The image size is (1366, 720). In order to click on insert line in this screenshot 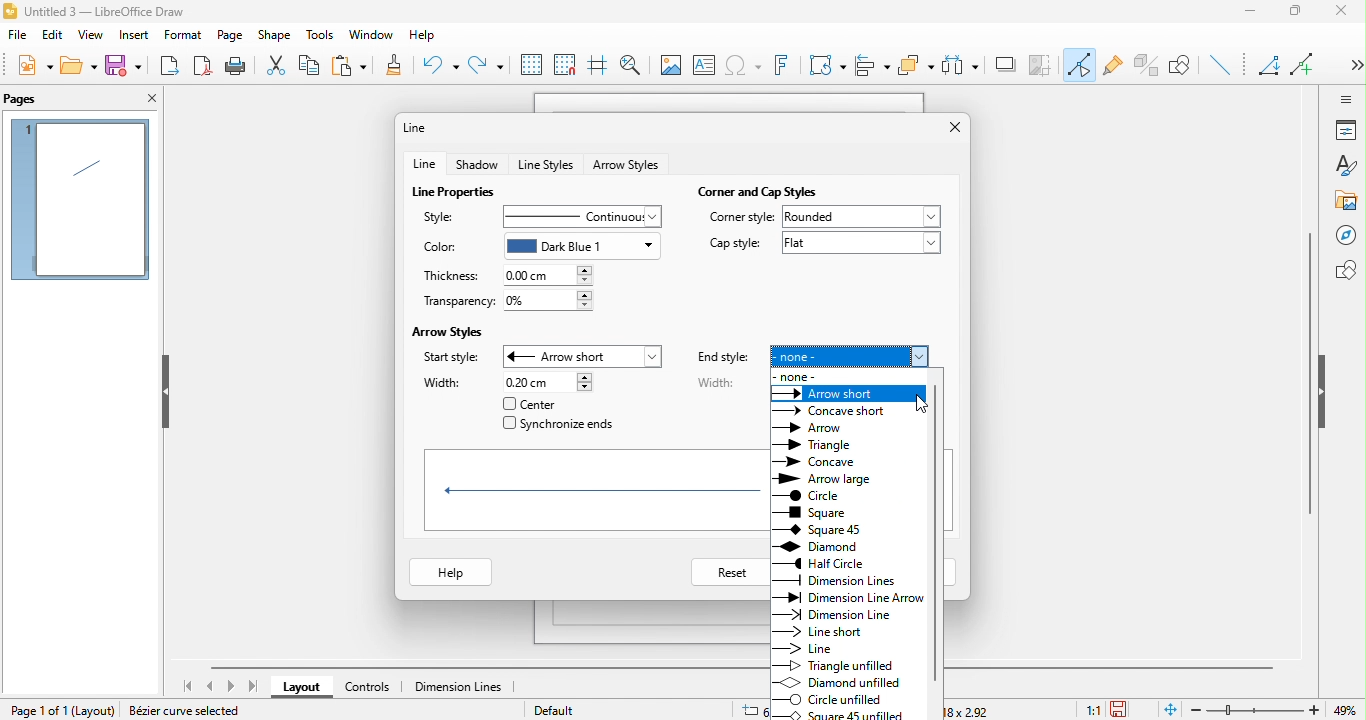, I will do `click(1224, 66)`.